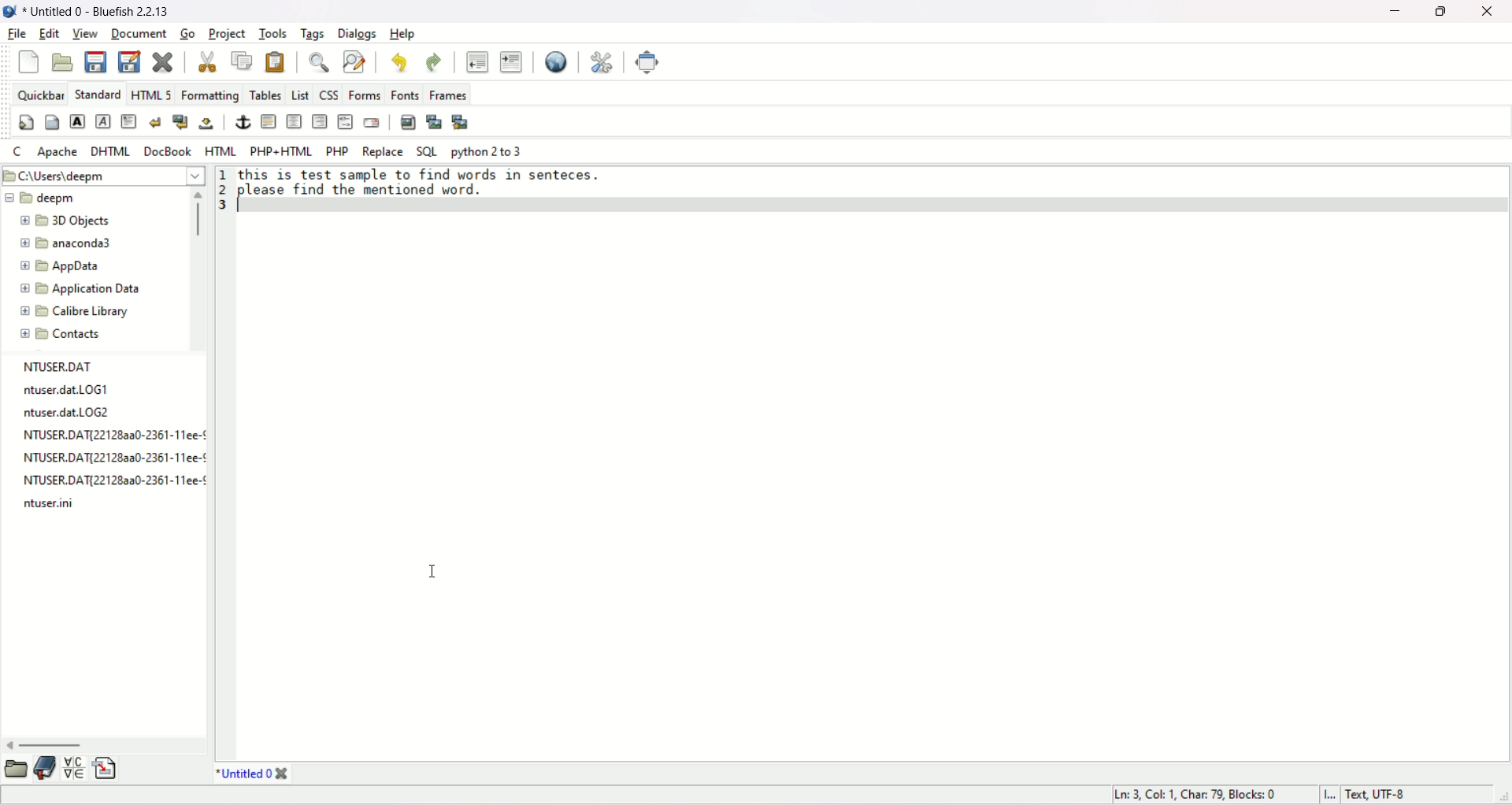 This screenshot has width=1512, height=805. Describe the element at coordinates (105, 121) in the screenshot. I see `emphasis` at that location.